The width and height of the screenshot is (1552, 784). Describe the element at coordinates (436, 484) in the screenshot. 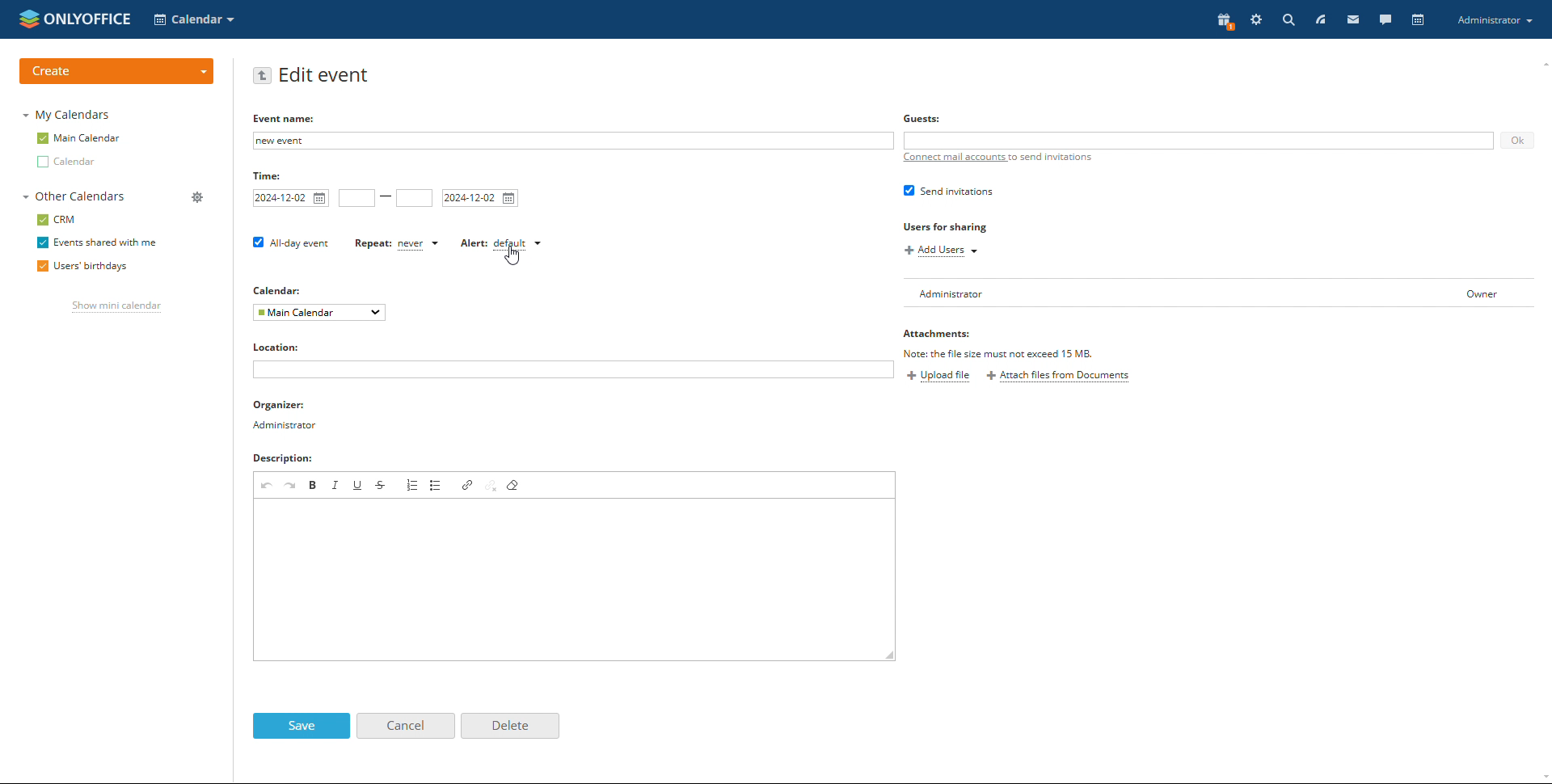

I see `insert/remove bulleted list` at that location.